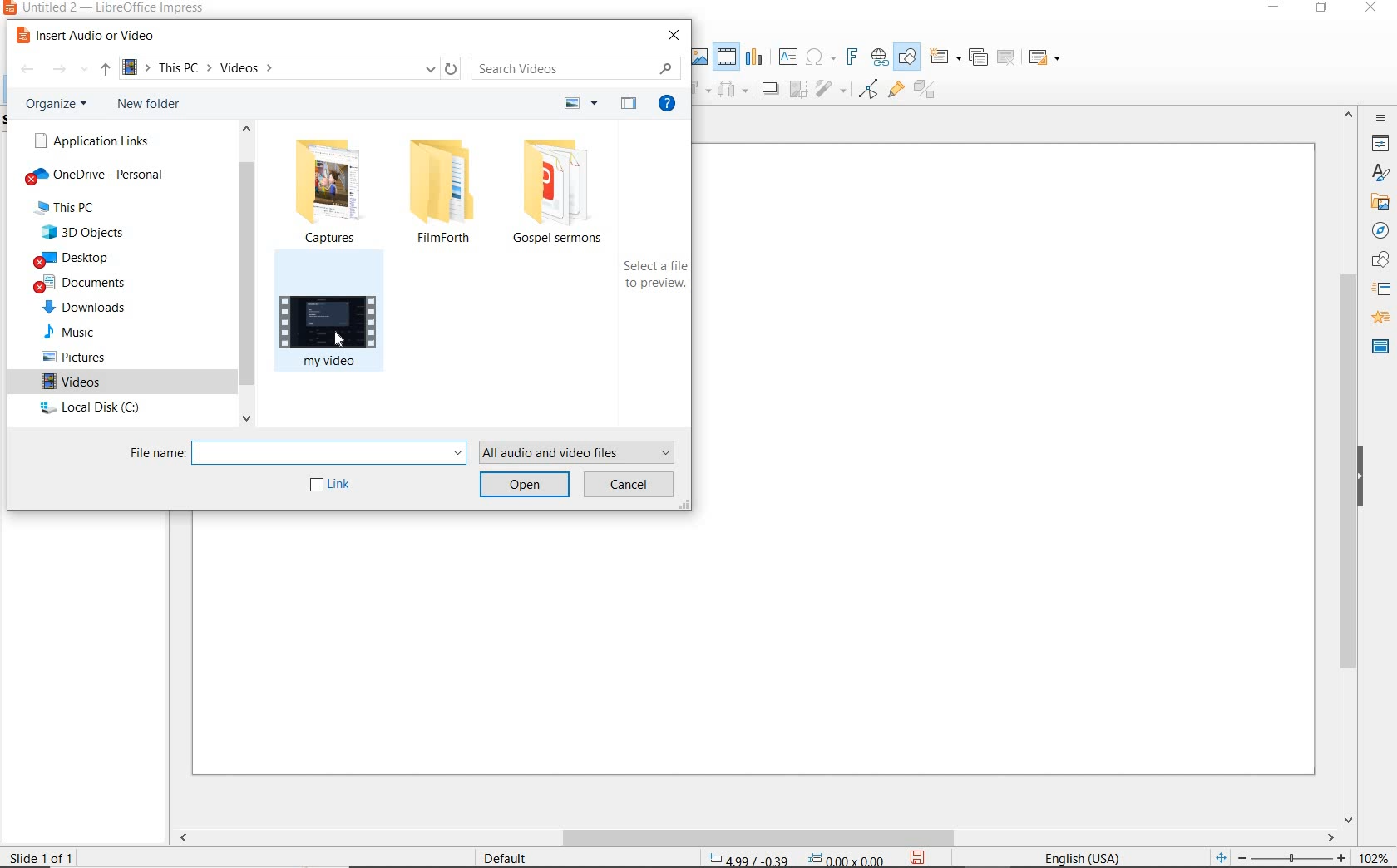 This screenshot has width=1397, height=868. Describe the element at coordinates (72, 358) in the screenshot. I see `pictures` at that location.